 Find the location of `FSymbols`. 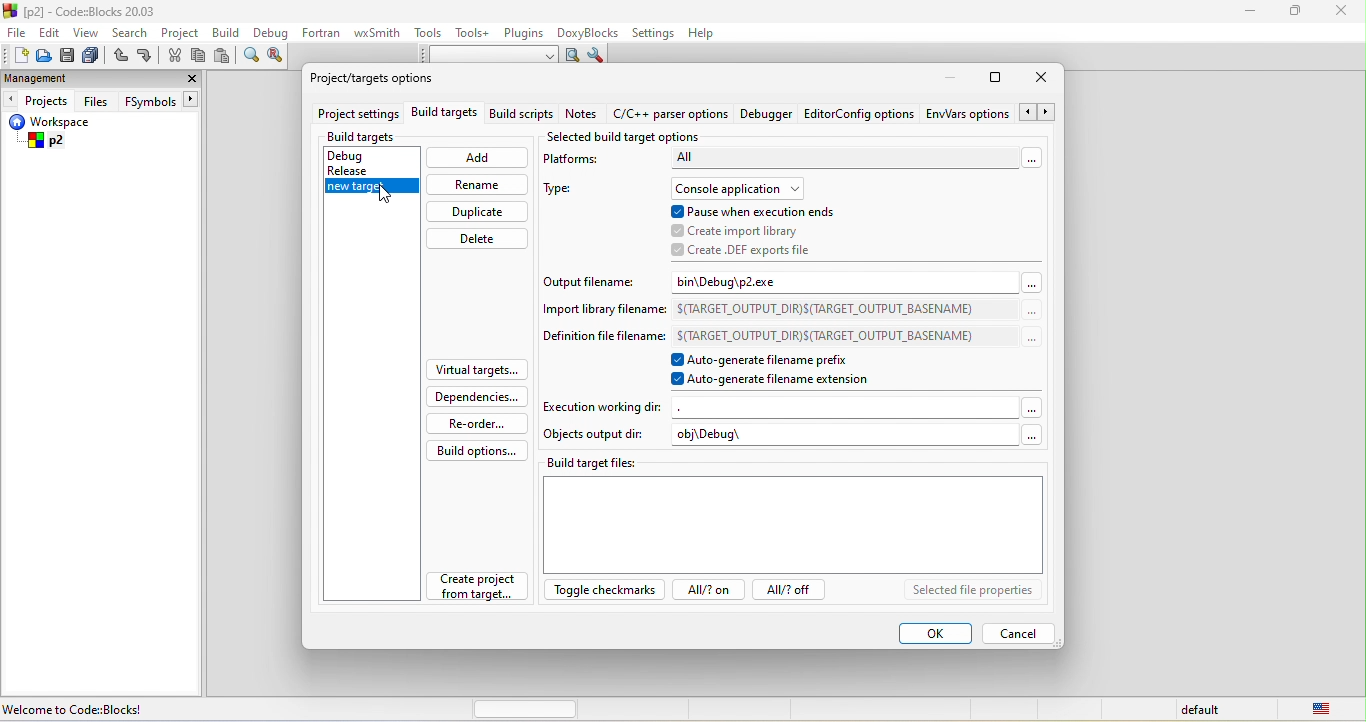

FSymbols is located at coordinates (163, 101).